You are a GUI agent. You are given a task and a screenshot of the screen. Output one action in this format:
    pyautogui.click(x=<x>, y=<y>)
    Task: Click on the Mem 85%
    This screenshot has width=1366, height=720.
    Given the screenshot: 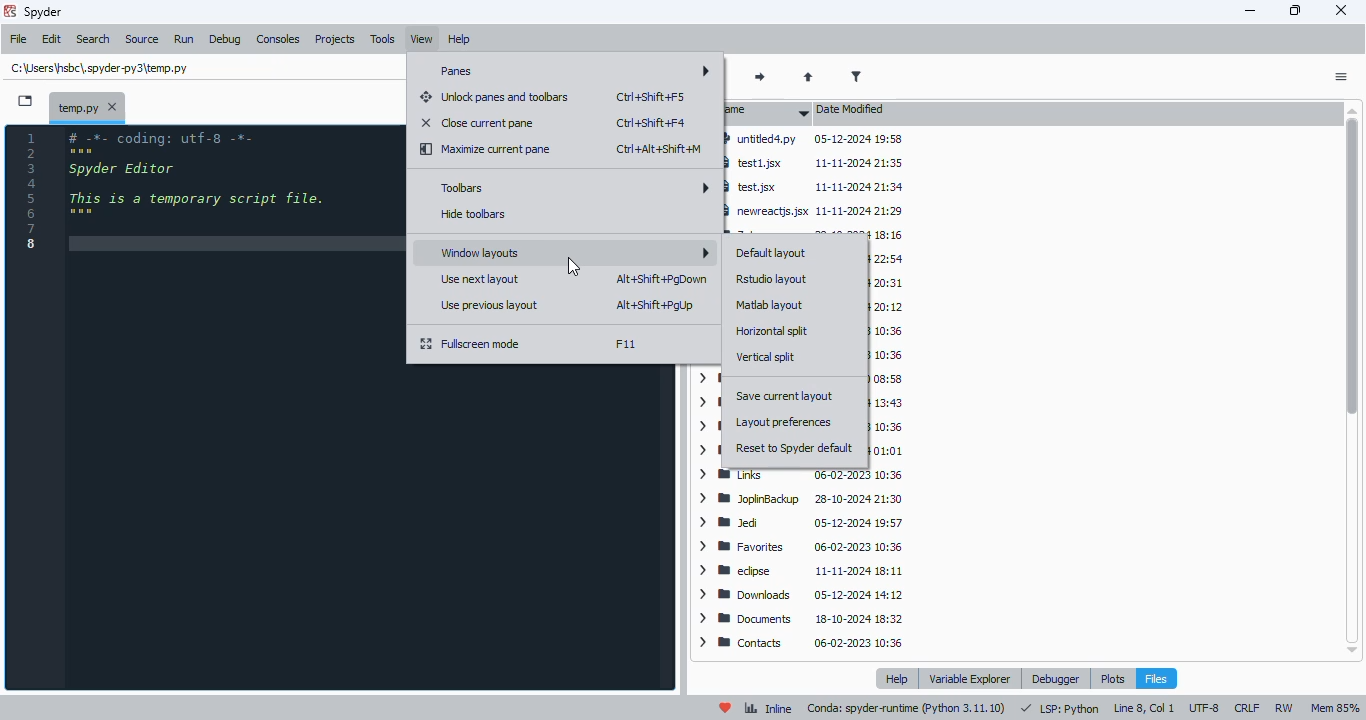 What is the action you would take?
    pyautogui.click(x=1337, y=708)
    